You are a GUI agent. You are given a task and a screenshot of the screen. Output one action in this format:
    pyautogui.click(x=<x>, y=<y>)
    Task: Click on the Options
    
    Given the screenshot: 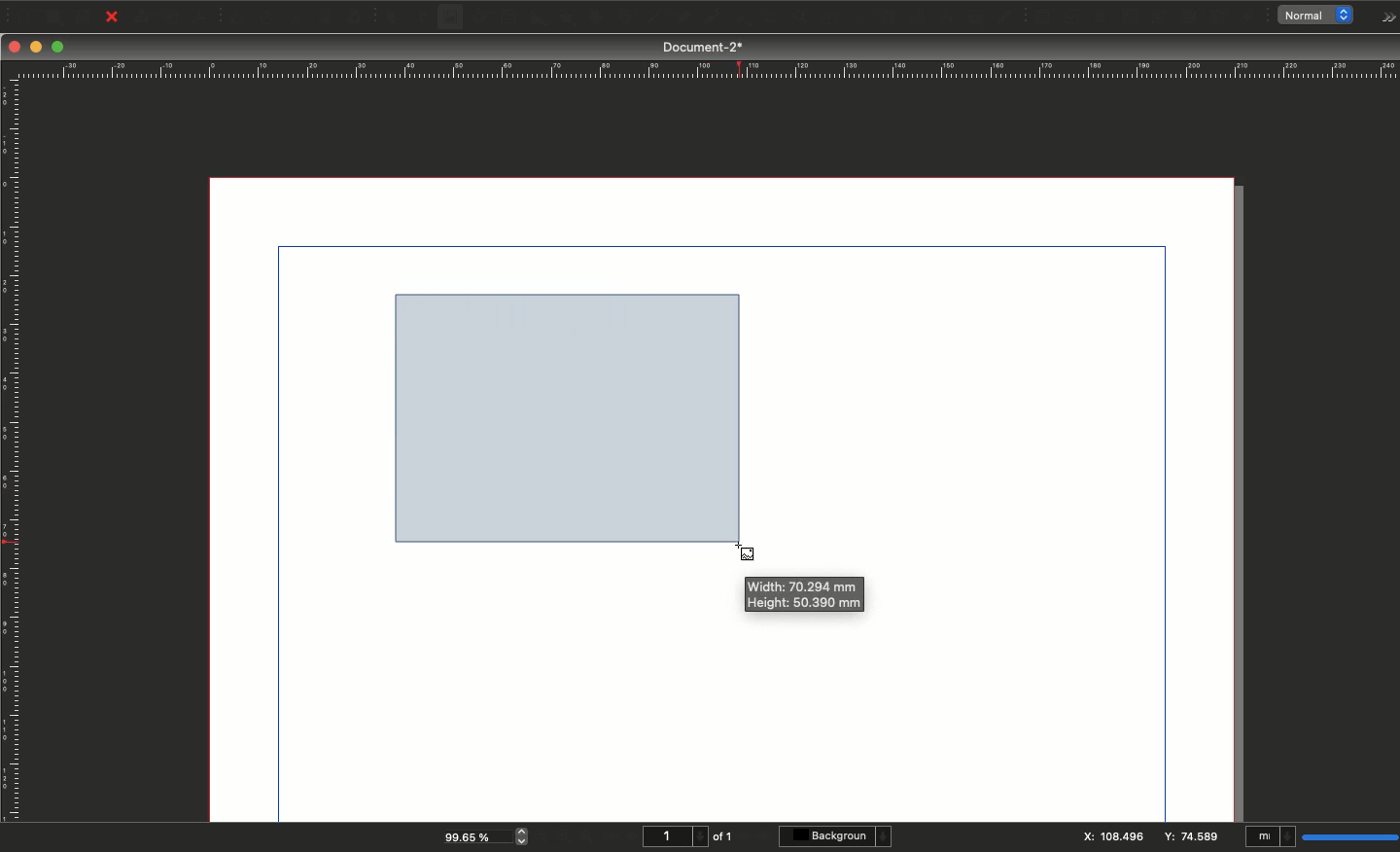 What is the action you would take?
    pyautogui.click(x=1384, y=18)
    